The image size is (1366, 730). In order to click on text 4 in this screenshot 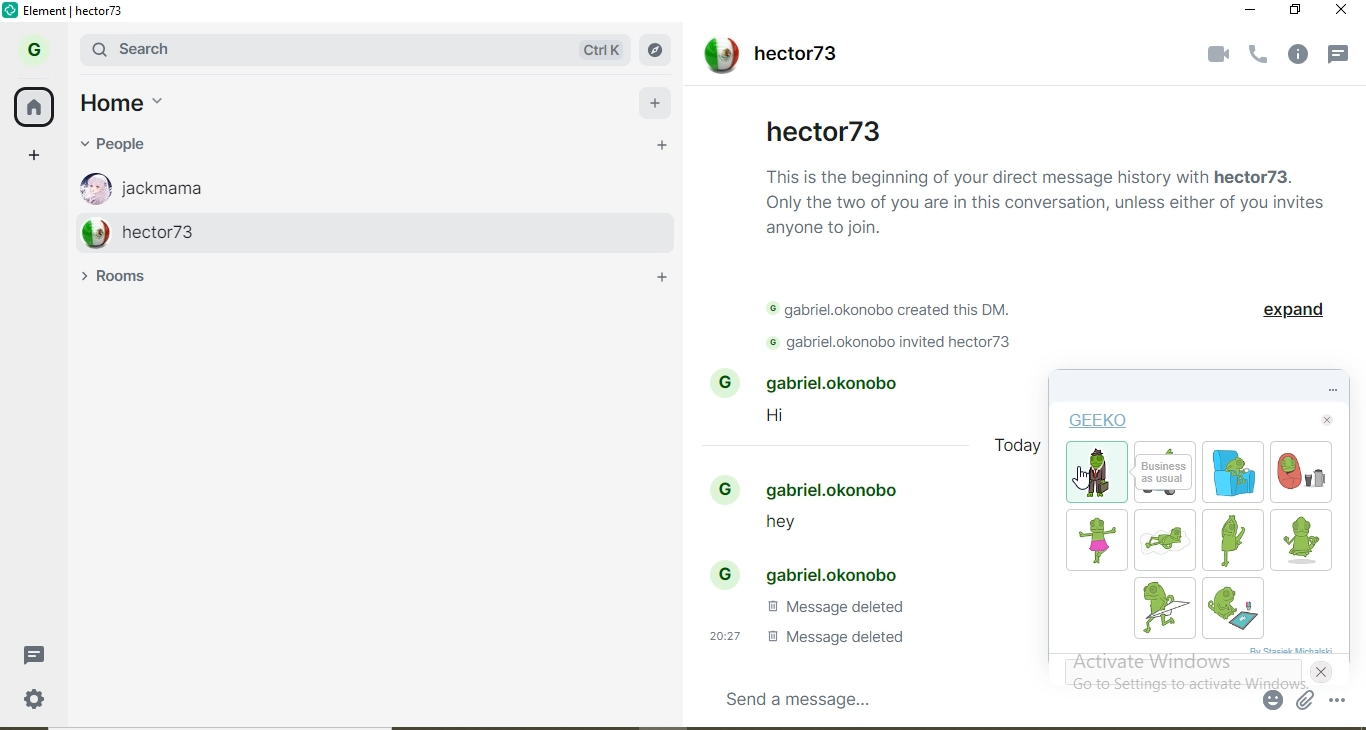, I will do `click(834, 607)`.